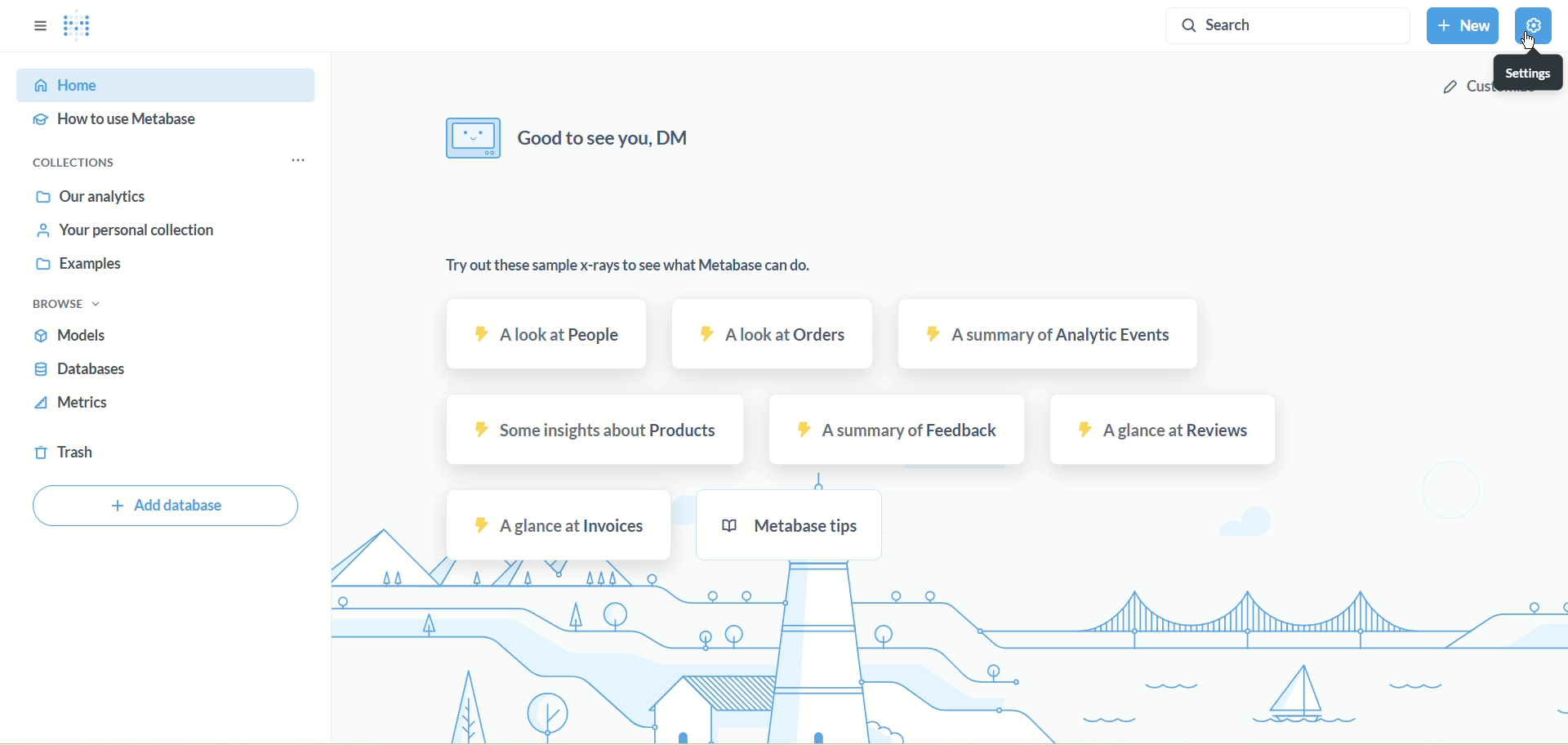 This screenshot has height=745, width=1568. Describe the element at coordinates (775, 336) in the screenshot. I see `a look at orders` at that location.